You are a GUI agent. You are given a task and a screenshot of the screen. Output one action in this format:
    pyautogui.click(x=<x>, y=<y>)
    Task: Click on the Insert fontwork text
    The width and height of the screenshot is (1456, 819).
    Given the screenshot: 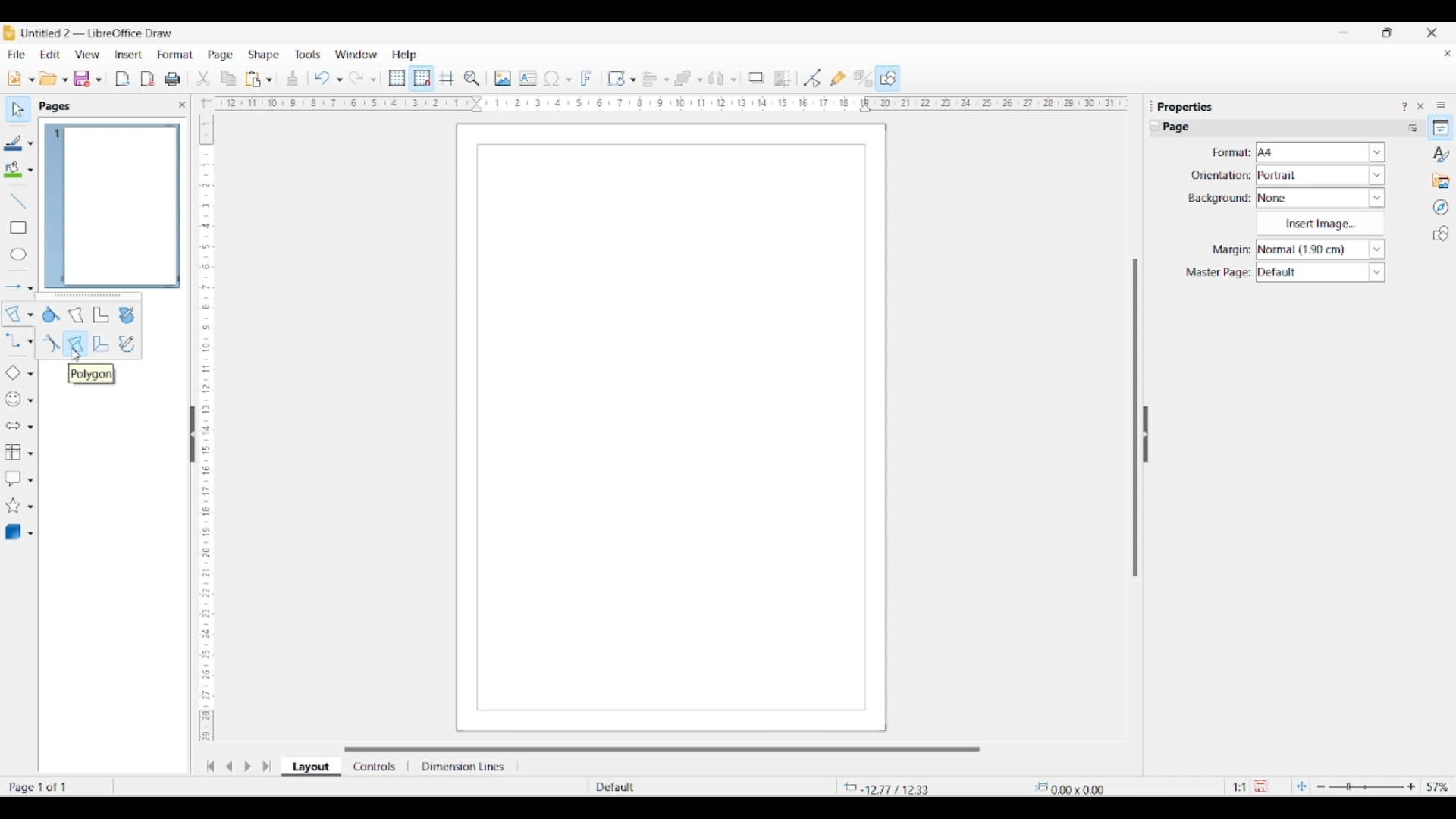 What is the action you would take?
    pyautogui.click(x=587, y=78)
    